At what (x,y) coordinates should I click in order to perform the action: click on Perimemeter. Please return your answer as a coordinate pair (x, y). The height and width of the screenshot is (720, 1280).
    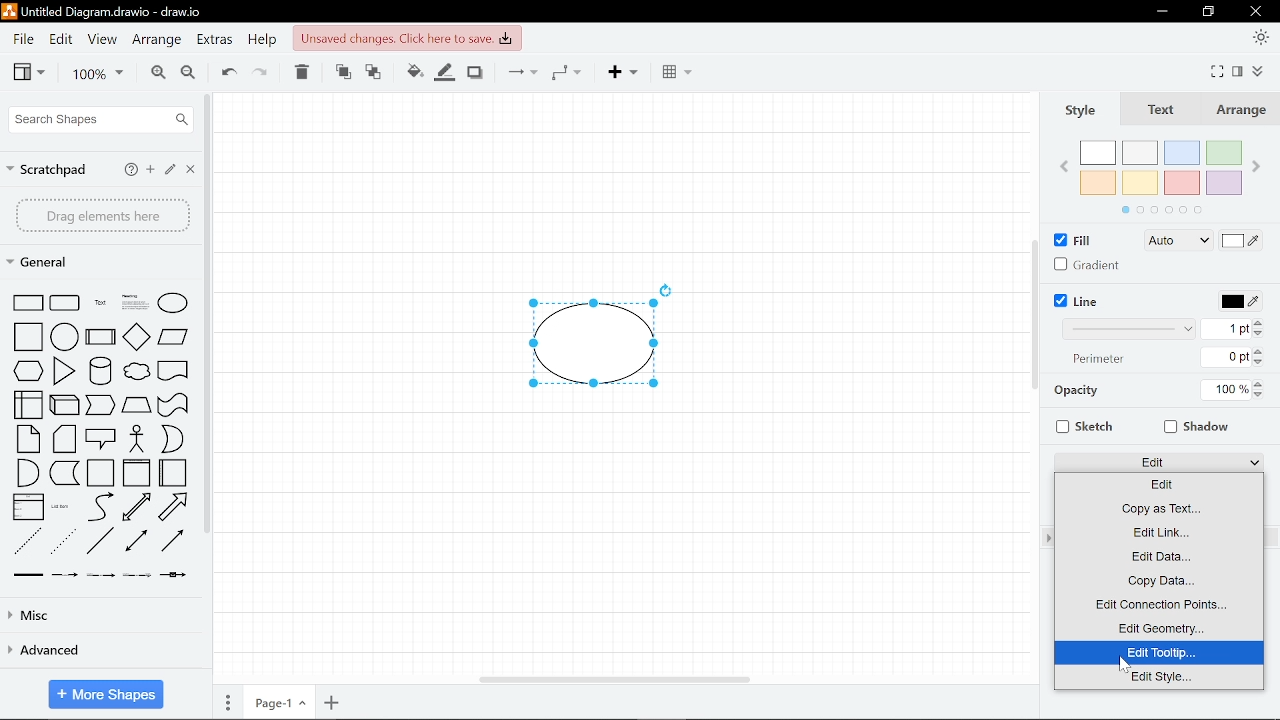
    Looking at the image, I should click on (1103, 362).